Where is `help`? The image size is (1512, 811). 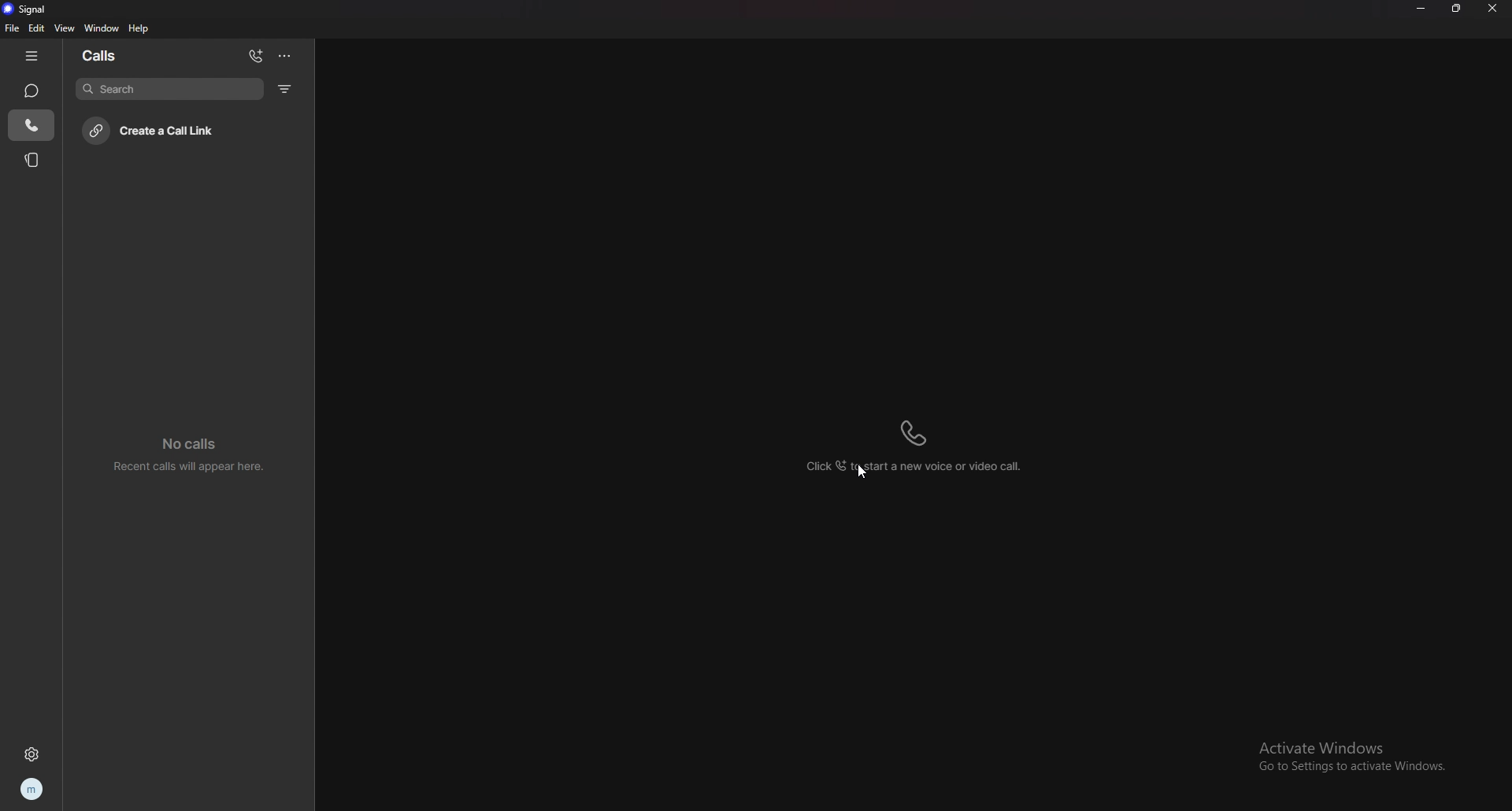
help is located at coordinates (140, 28).